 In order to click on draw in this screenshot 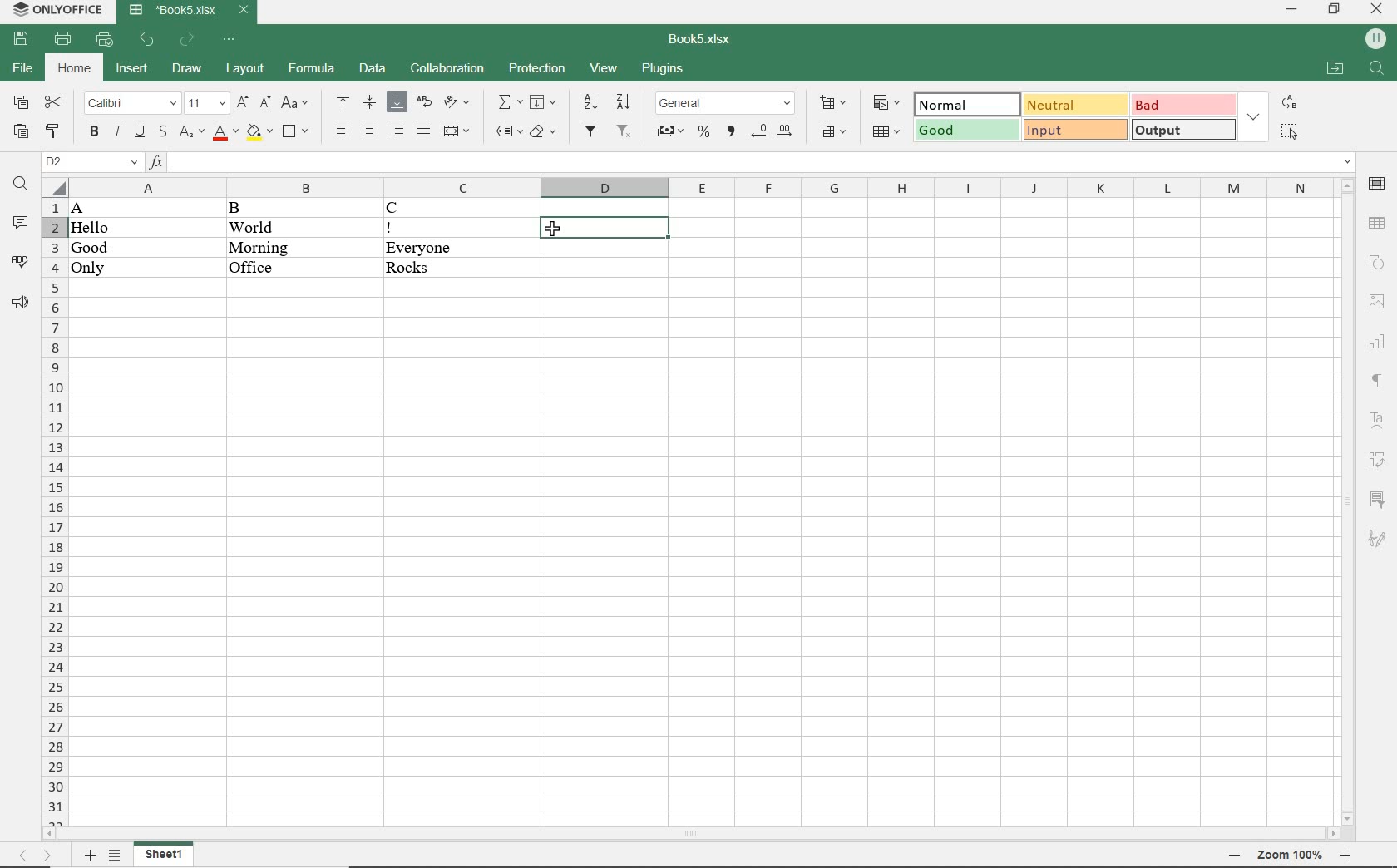, I will do `click(185, 70)`.